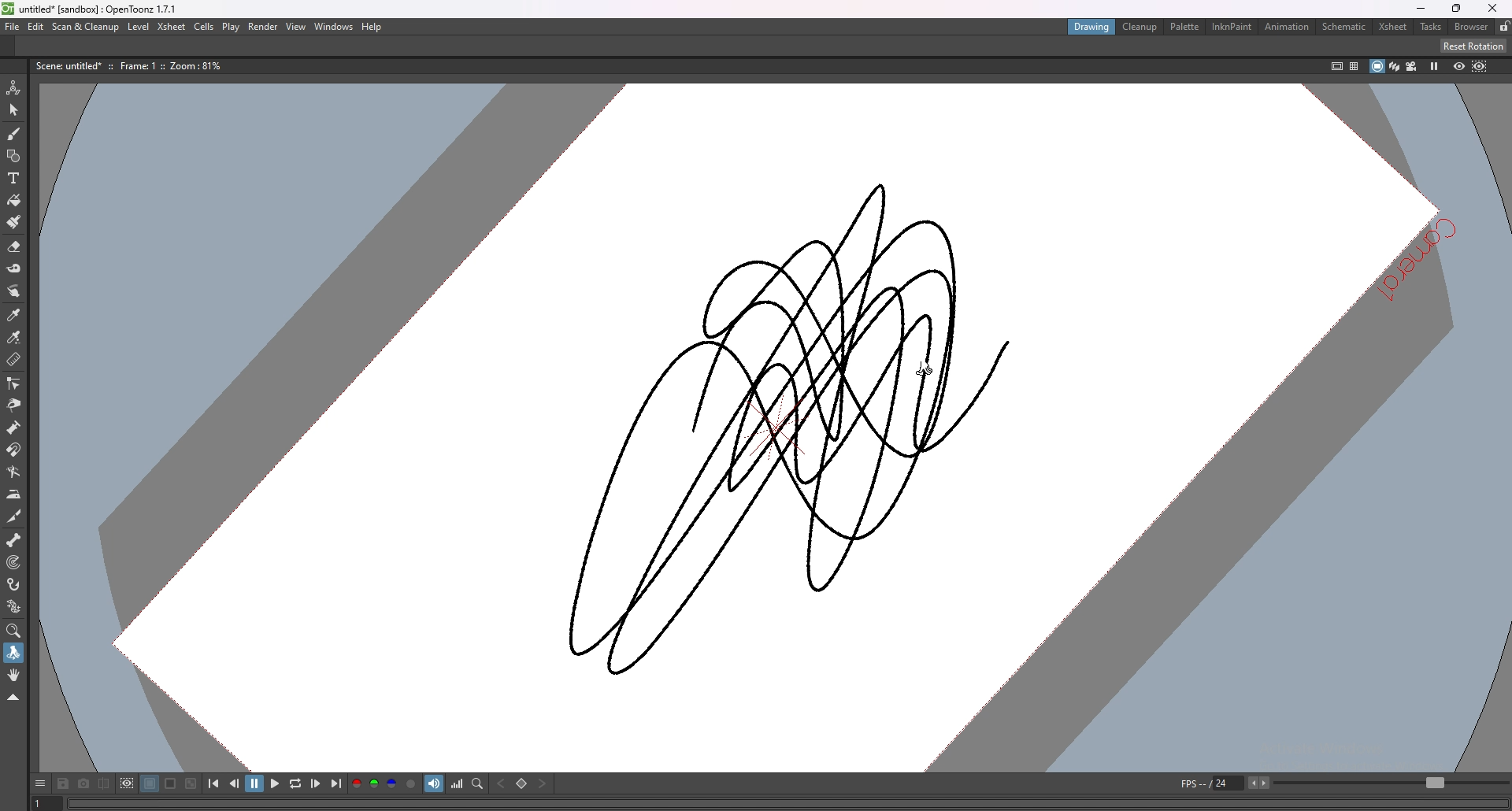 This screenshot has height=811, width=1512. What do you see at coordinates (478, 784) in the screenshot?
I see `locator` at bounding box center [478, 784].